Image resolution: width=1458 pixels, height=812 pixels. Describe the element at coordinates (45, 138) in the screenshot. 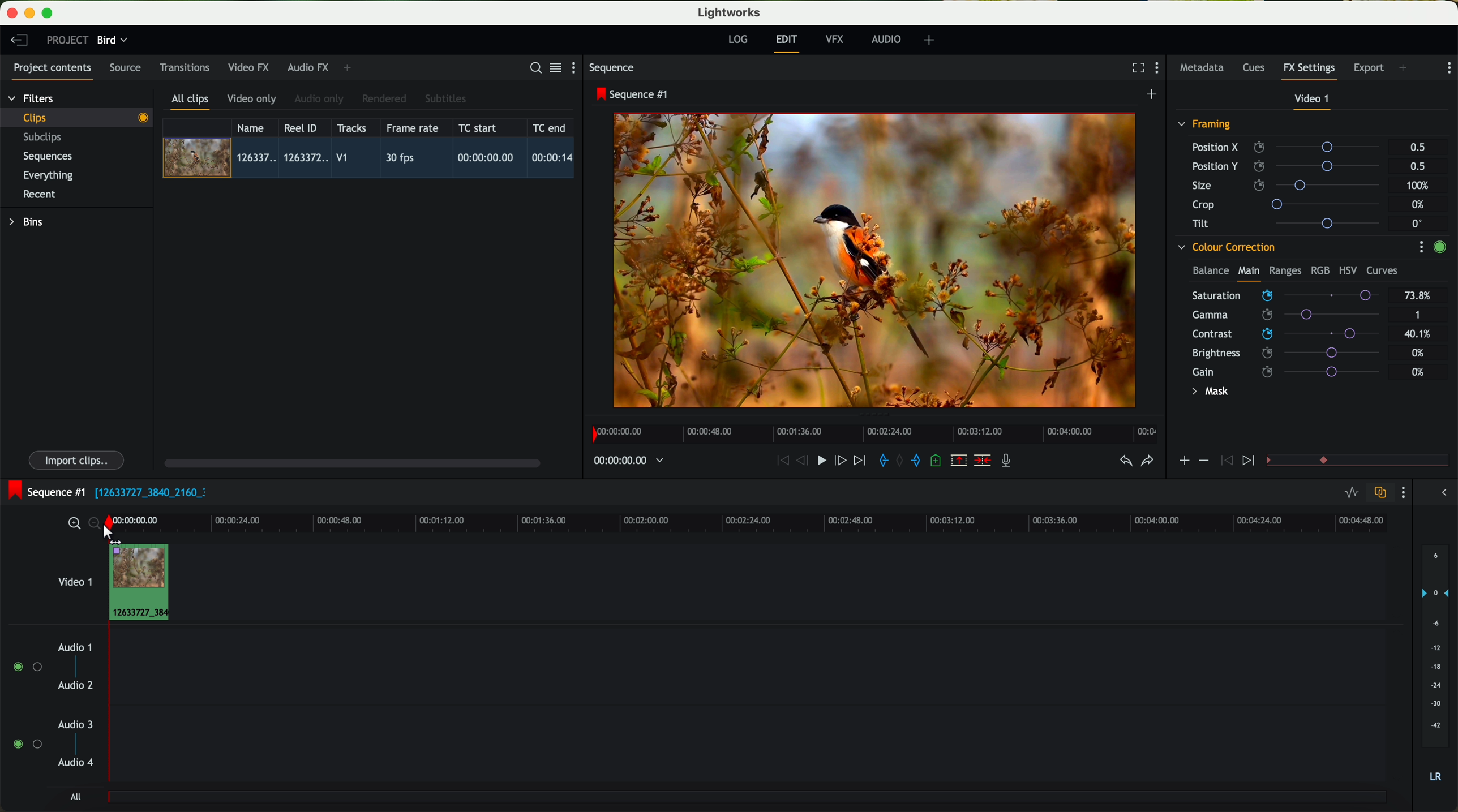

I see `subclips` at that location.